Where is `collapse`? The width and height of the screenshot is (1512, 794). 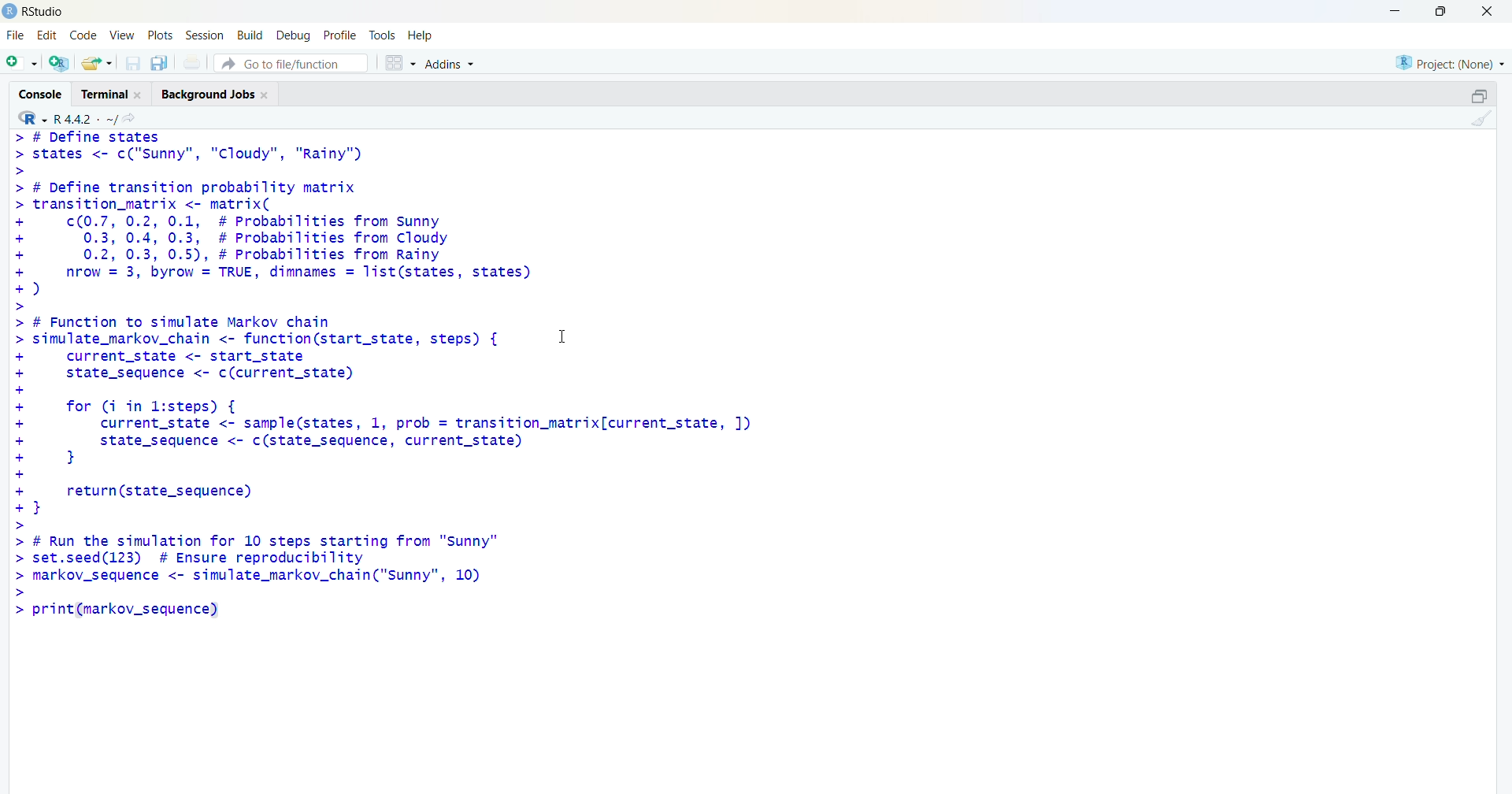
collapse is located at coordinates (1478, 96).